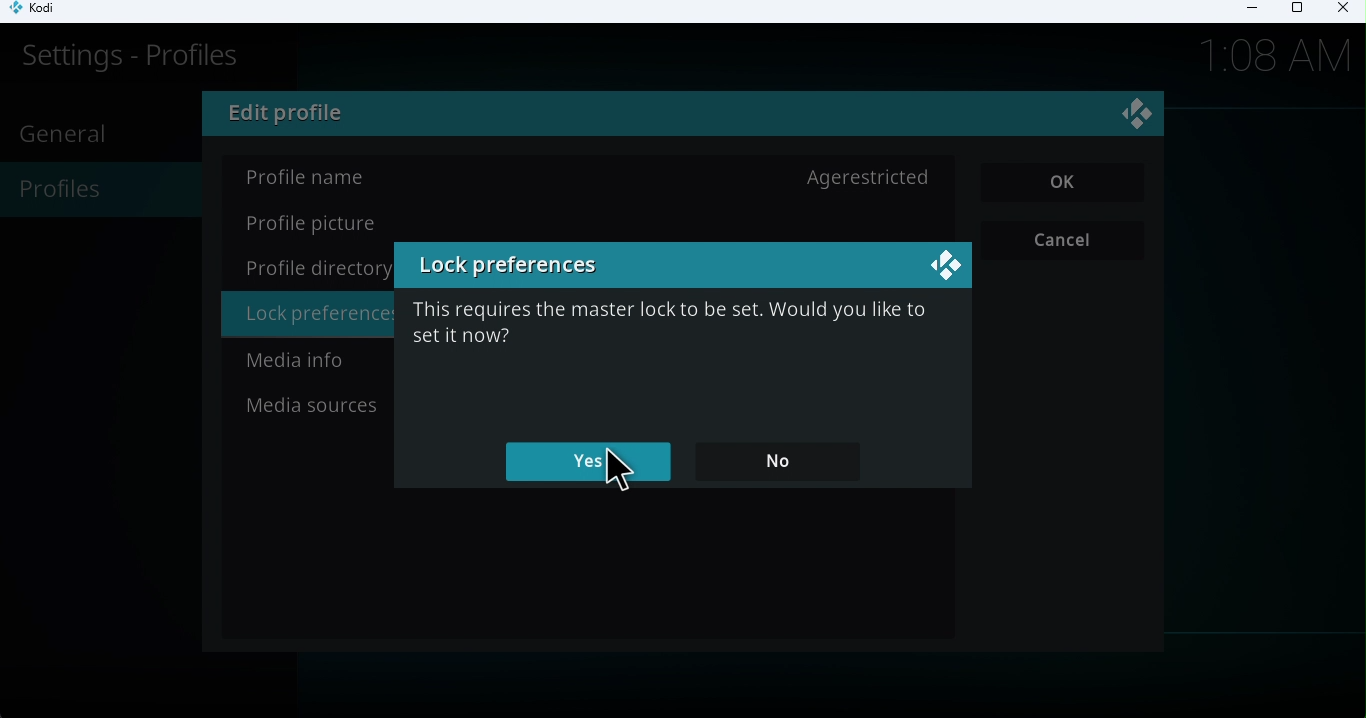  Describe the element at coordinates (786, 457) in the screenshot. I see `No` at that location.